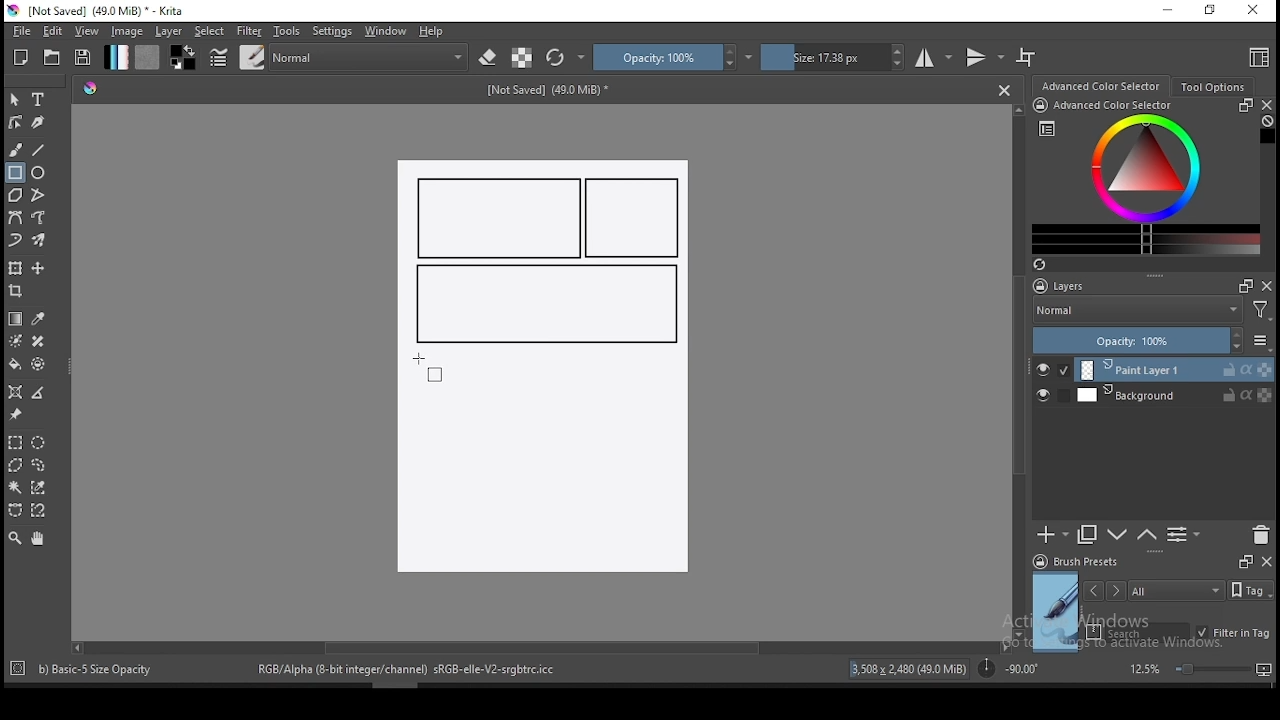 The image size is (1280, 720). Describe the element at coordinates (38, 269) in the screenshot. I see `move a layer` at that location.